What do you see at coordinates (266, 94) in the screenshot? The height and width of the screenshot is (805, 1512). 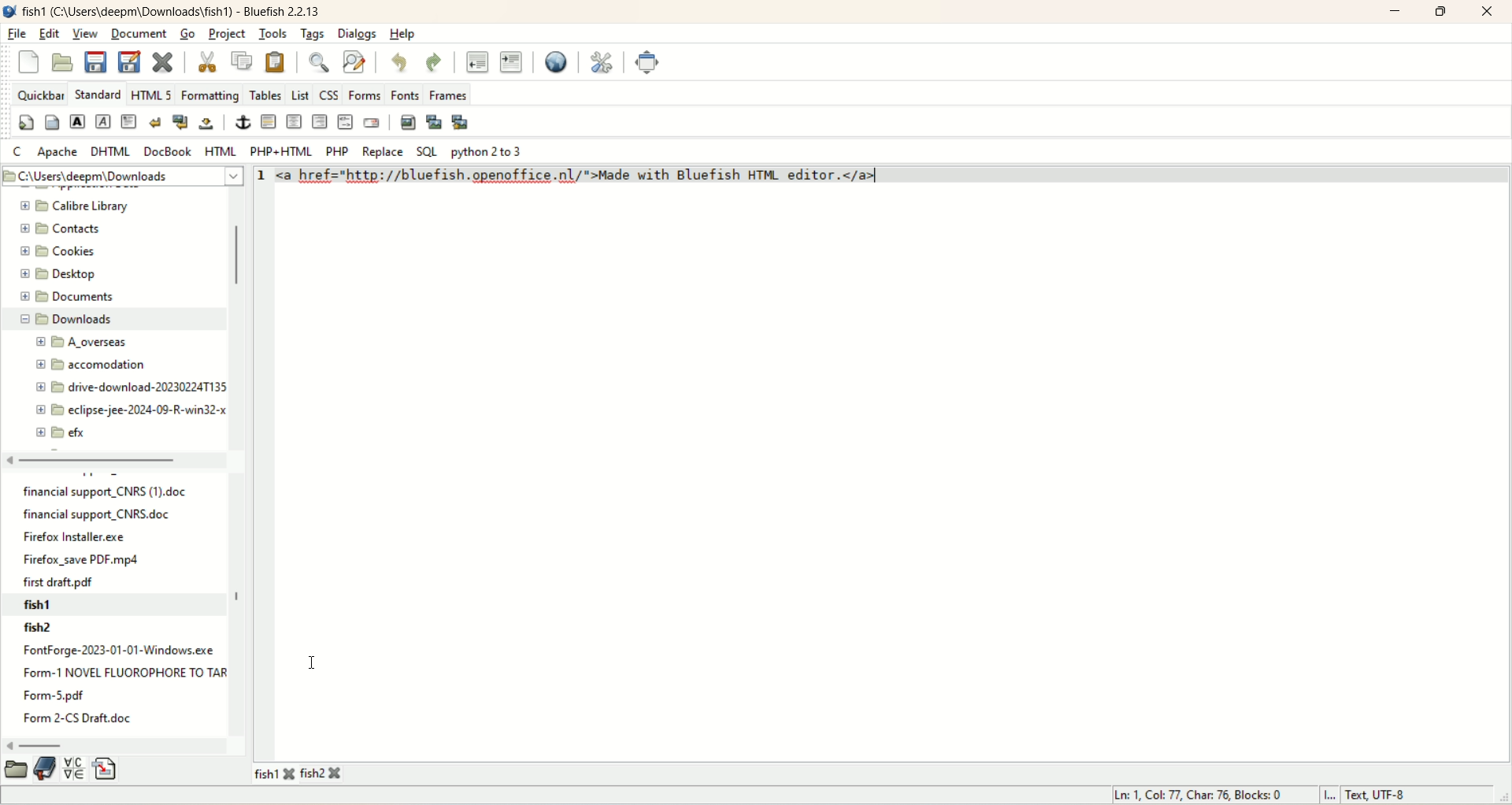 I see `tables` at bounding box center [266, 94].